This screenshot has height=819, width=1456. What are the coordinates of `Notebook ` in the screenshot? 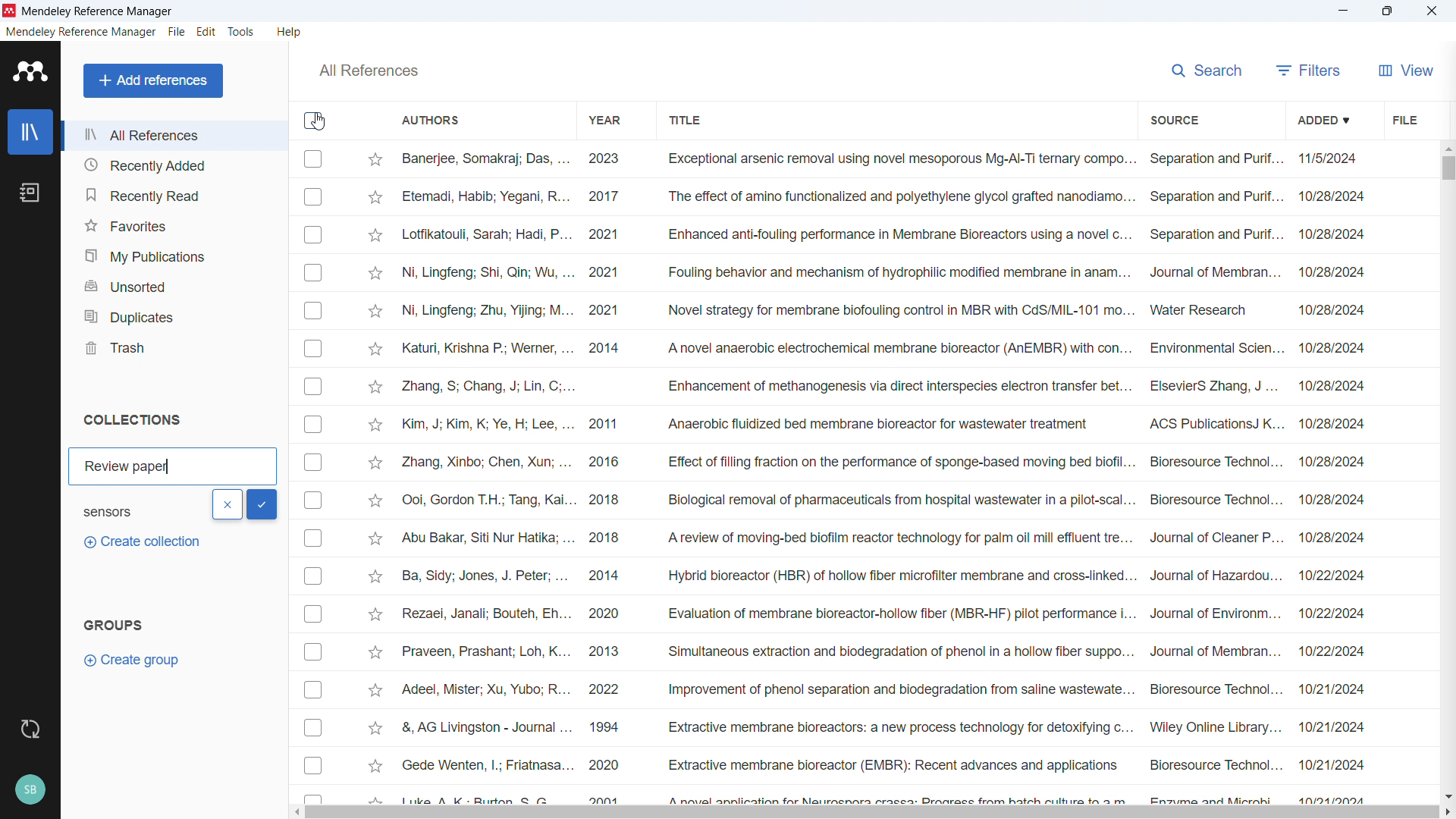 It's located at (30, 193).